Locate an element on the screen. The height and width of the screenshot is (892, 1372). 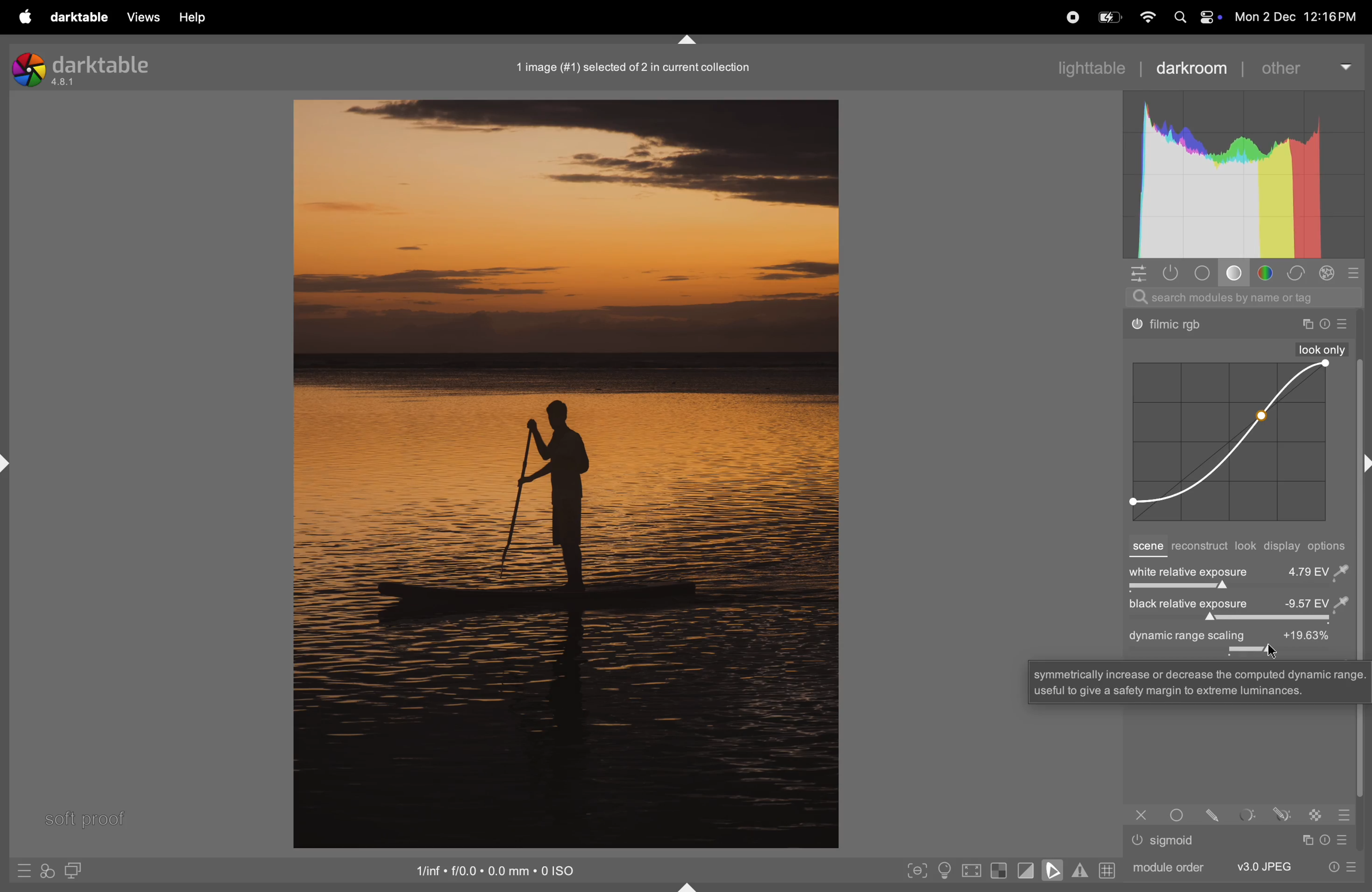
 is located at coordinates (1317, 814).